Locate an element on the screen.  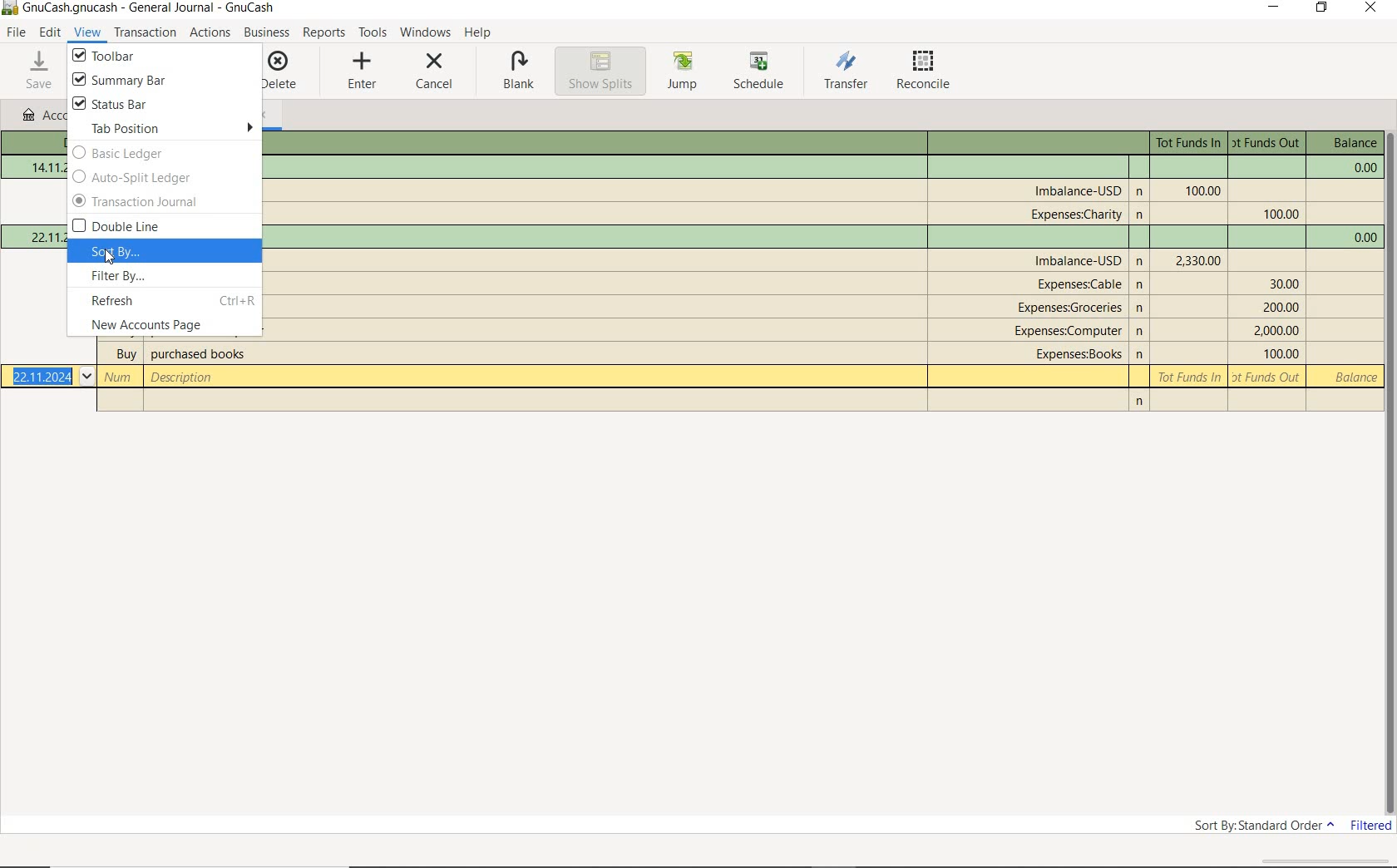
JUMP is located at coordinates (683, 70).